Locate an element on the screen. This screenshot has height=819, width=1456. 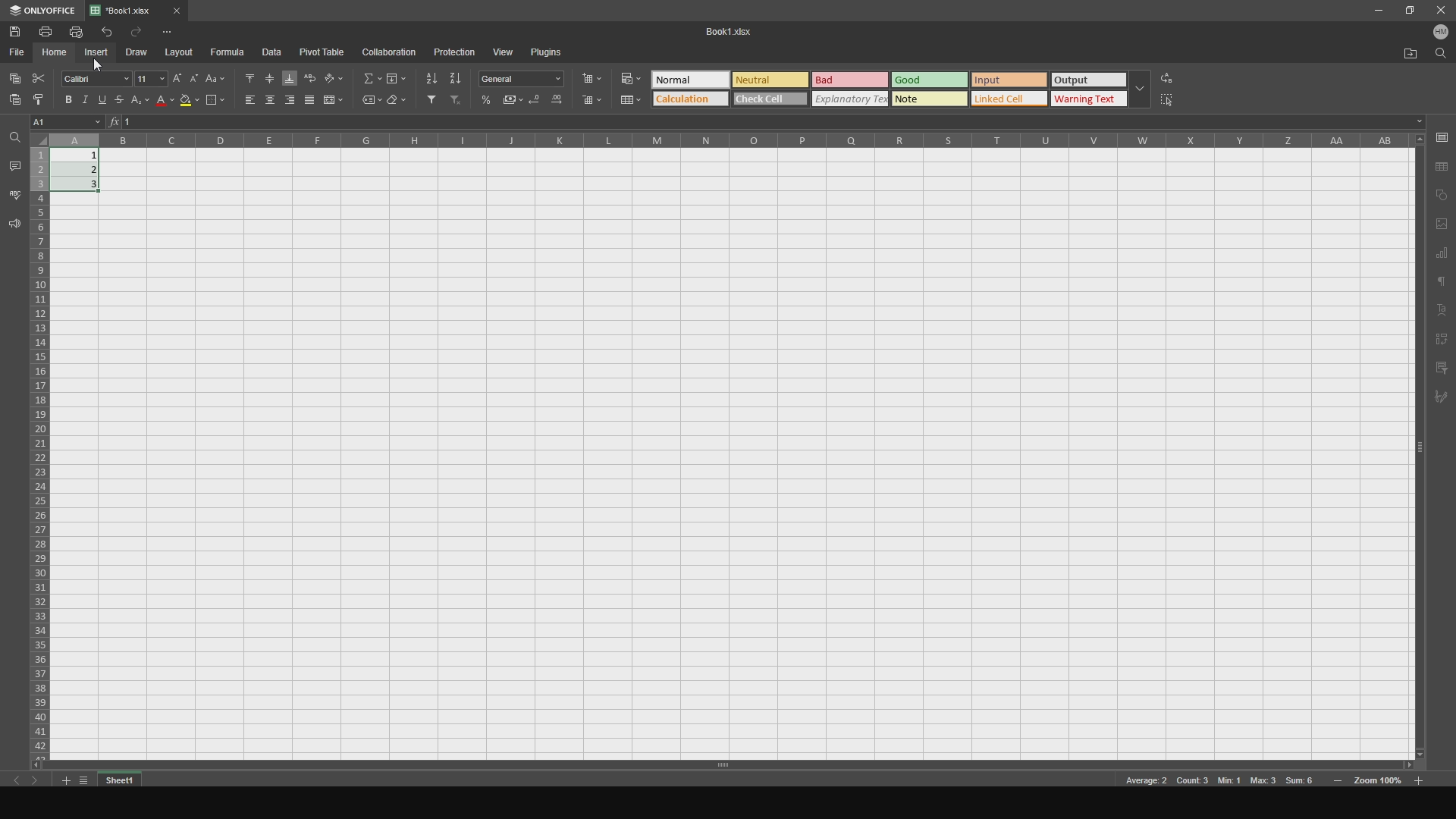
decrement font size is located at coordinates (193, 74).